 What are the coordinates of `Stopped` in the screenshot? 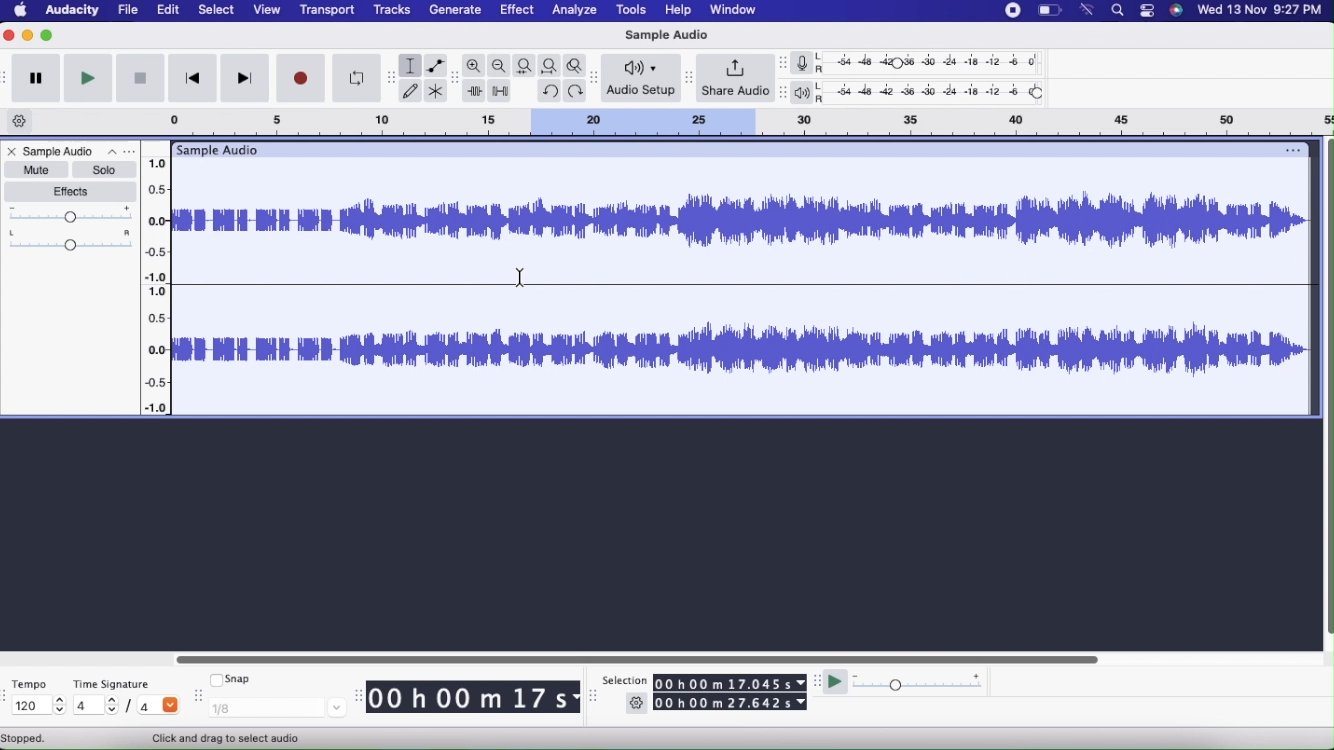 It's located at (24, 739).